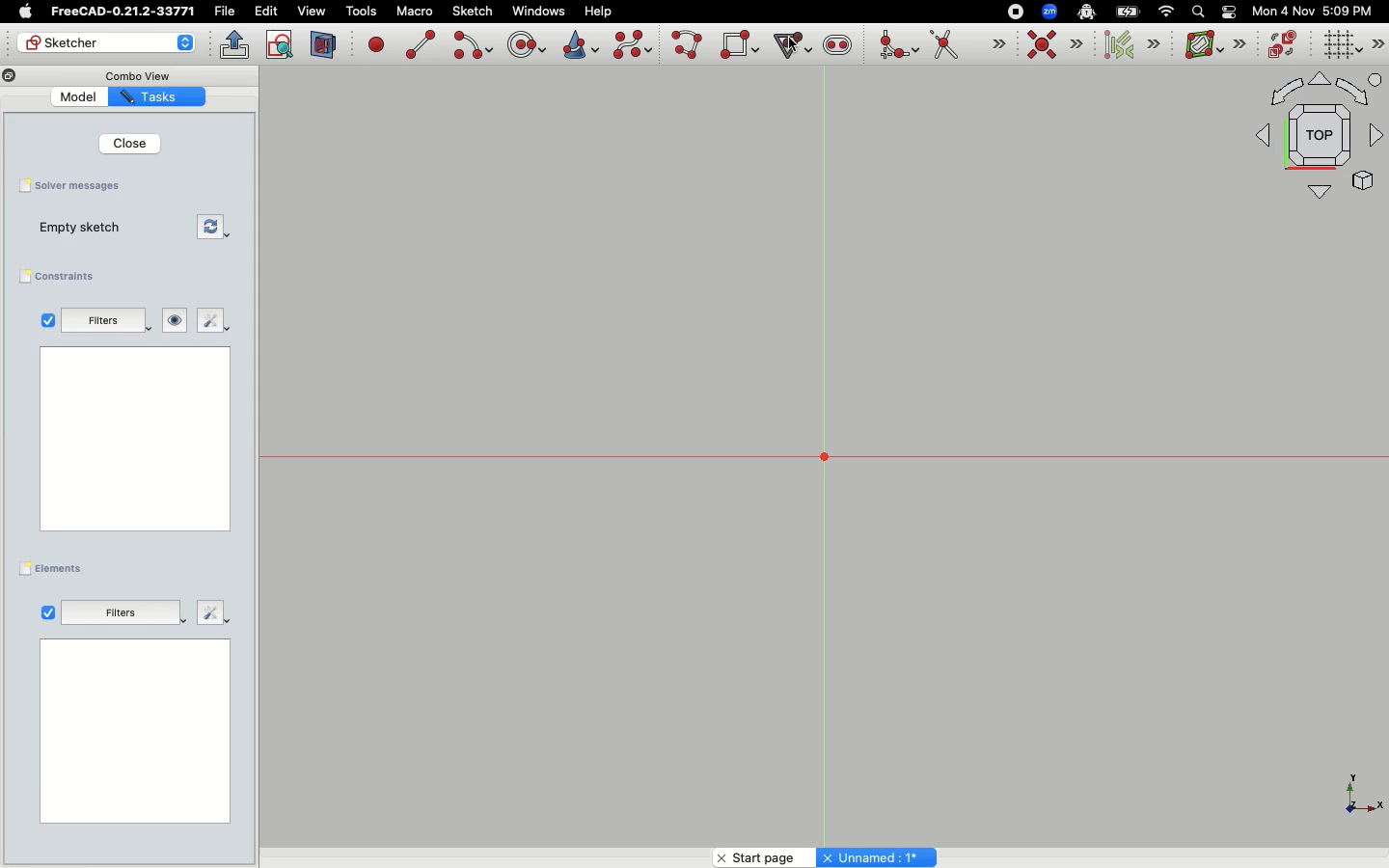  I want to click on Create b-spline, so click(633, 44).